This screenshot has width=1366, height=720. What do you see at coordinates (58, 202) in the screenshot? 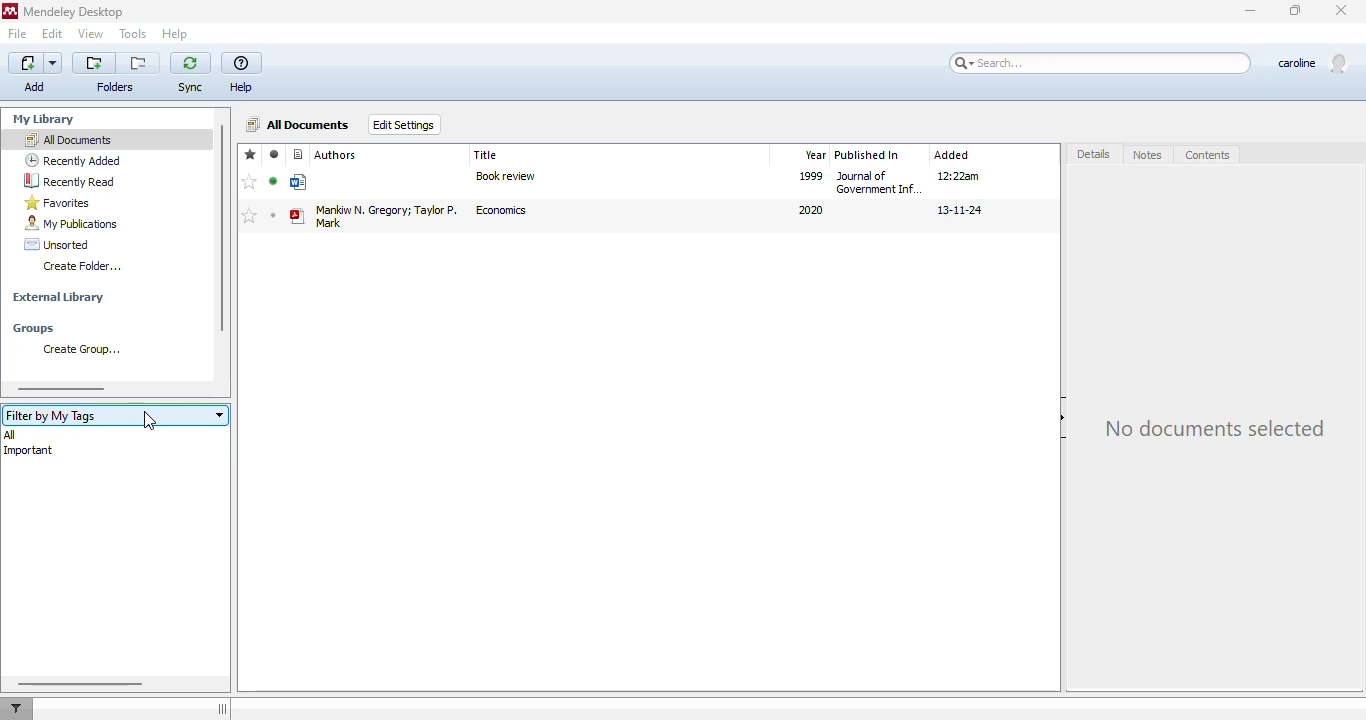
I see `favorites` at bounding box center [58, 202].